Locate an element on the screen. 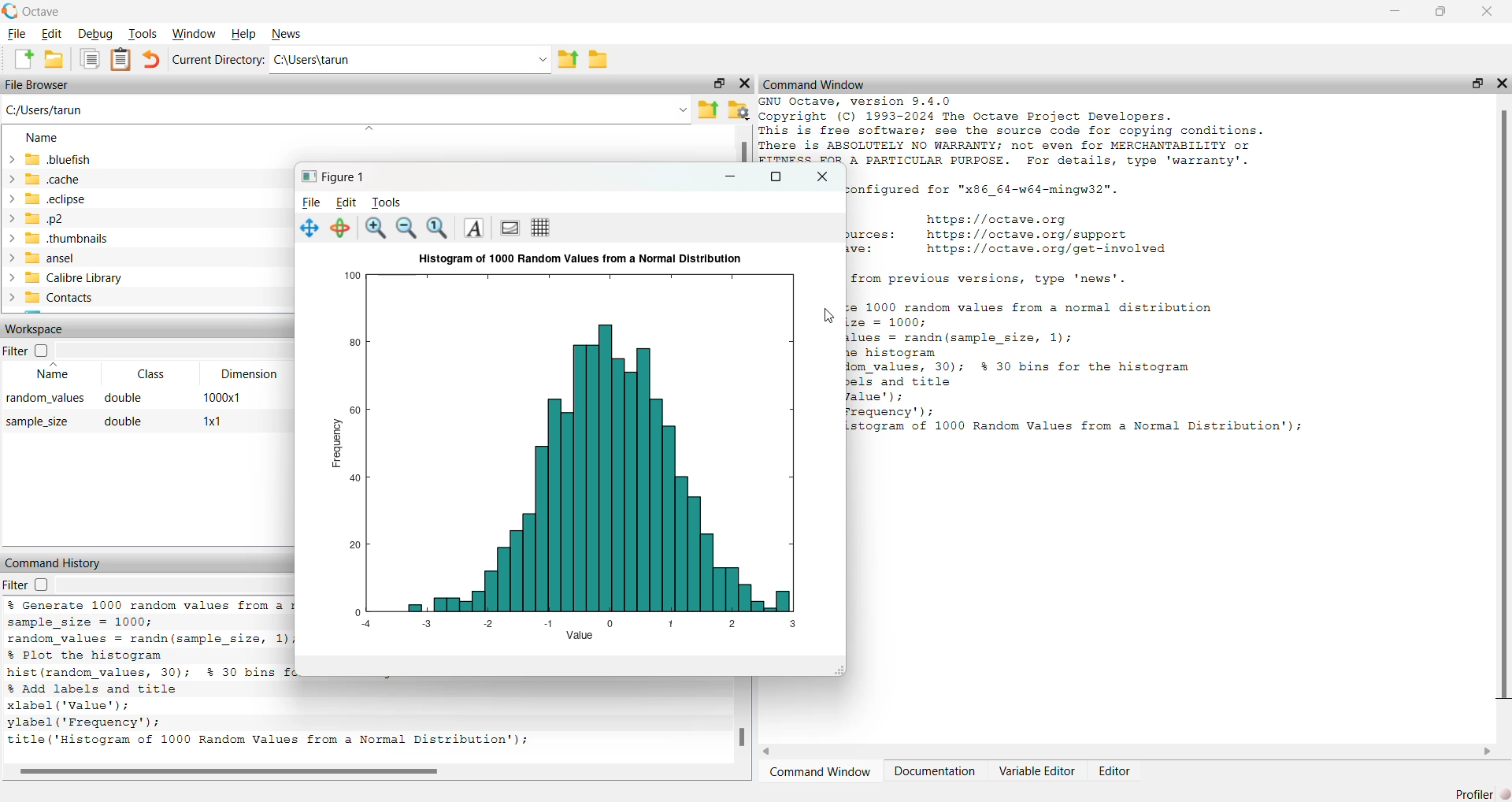 The image size is (1512, 802). 1x1 is located at coordinates (213, 421).